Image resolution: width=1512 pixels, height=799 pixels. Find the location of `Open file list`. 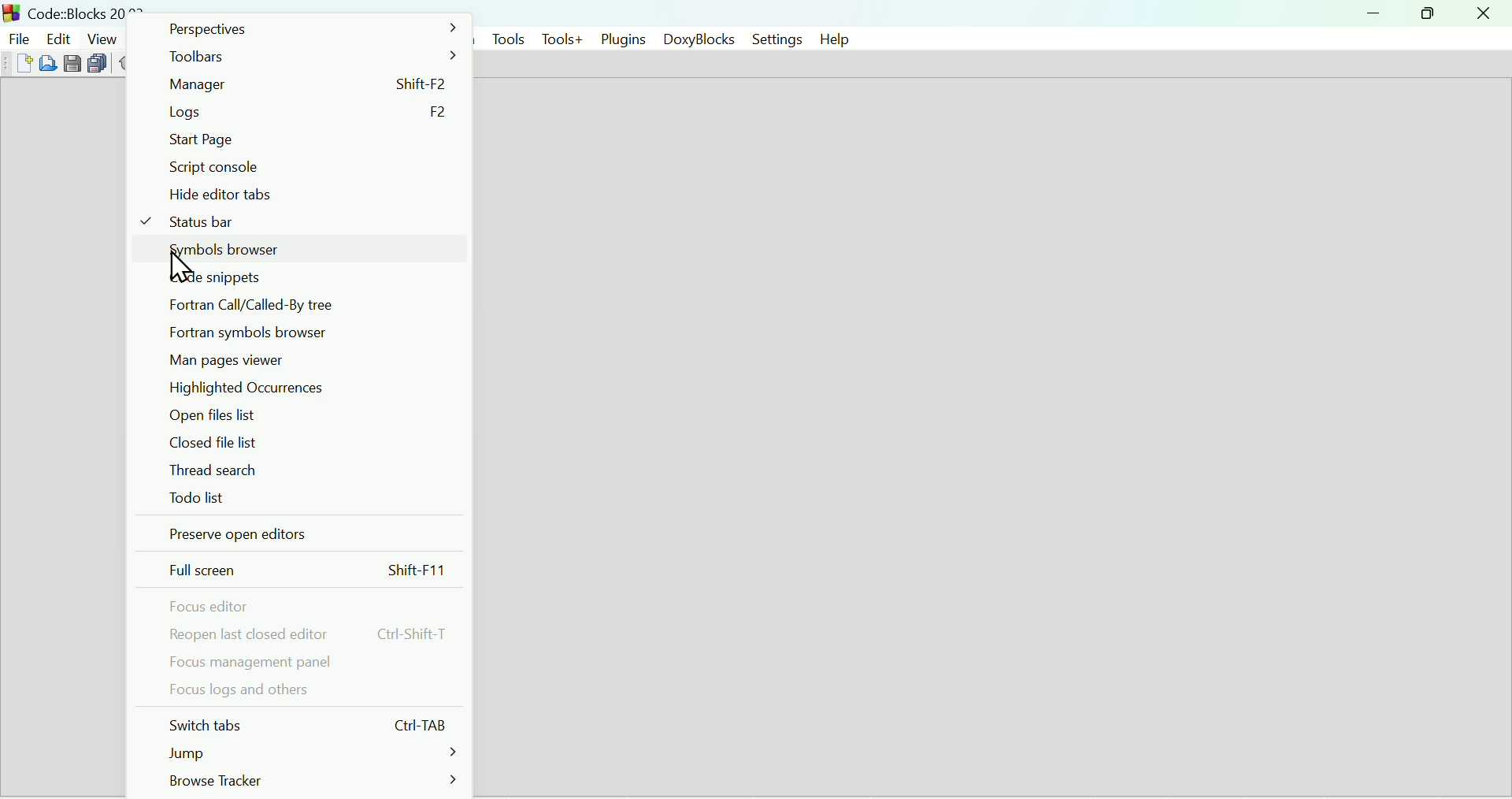

Open file list is located at coordinates (307, 415).